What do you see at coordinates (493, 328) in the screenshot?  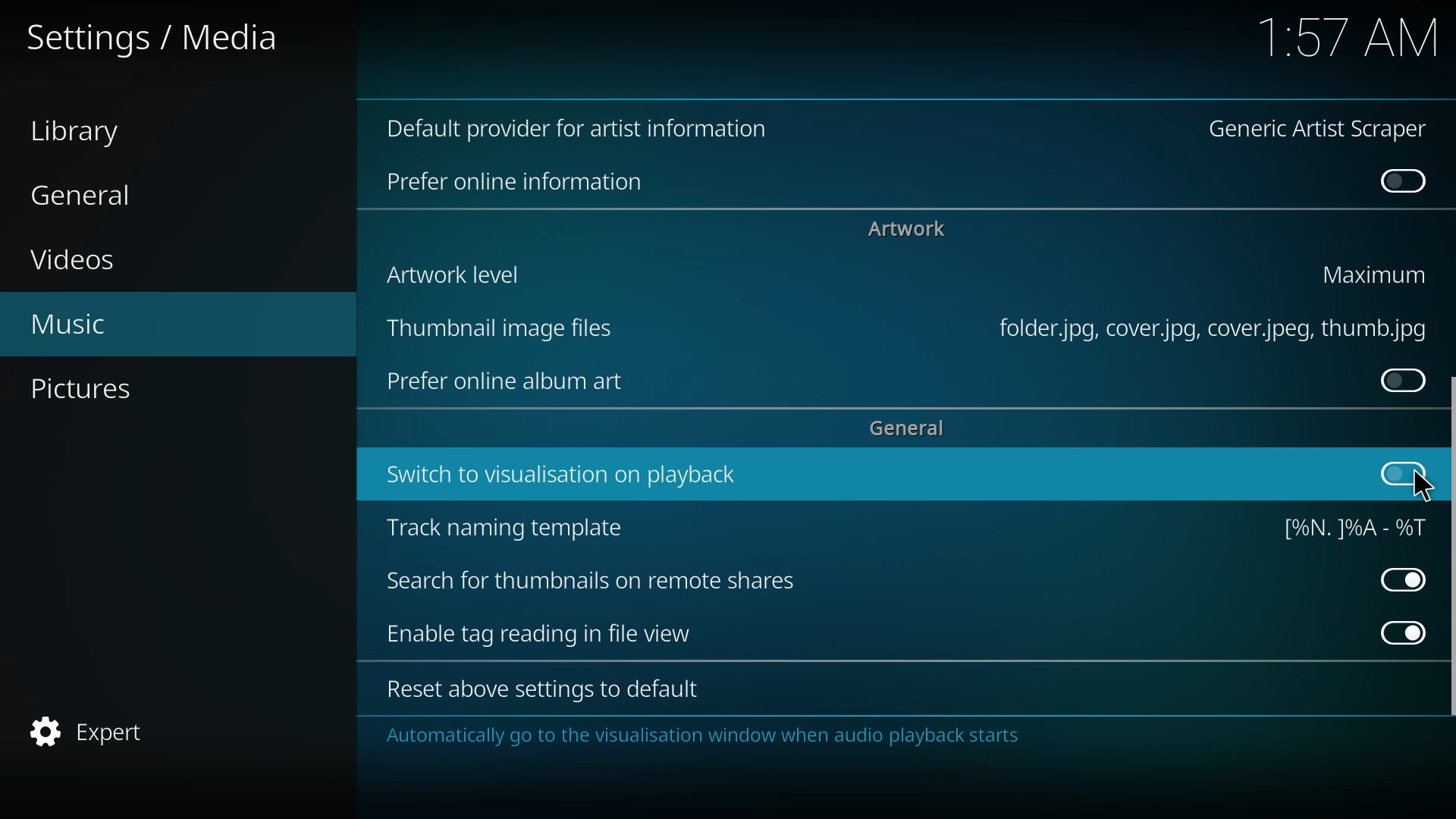 I see `thumbnail image file` at bounding box center [493, 328].